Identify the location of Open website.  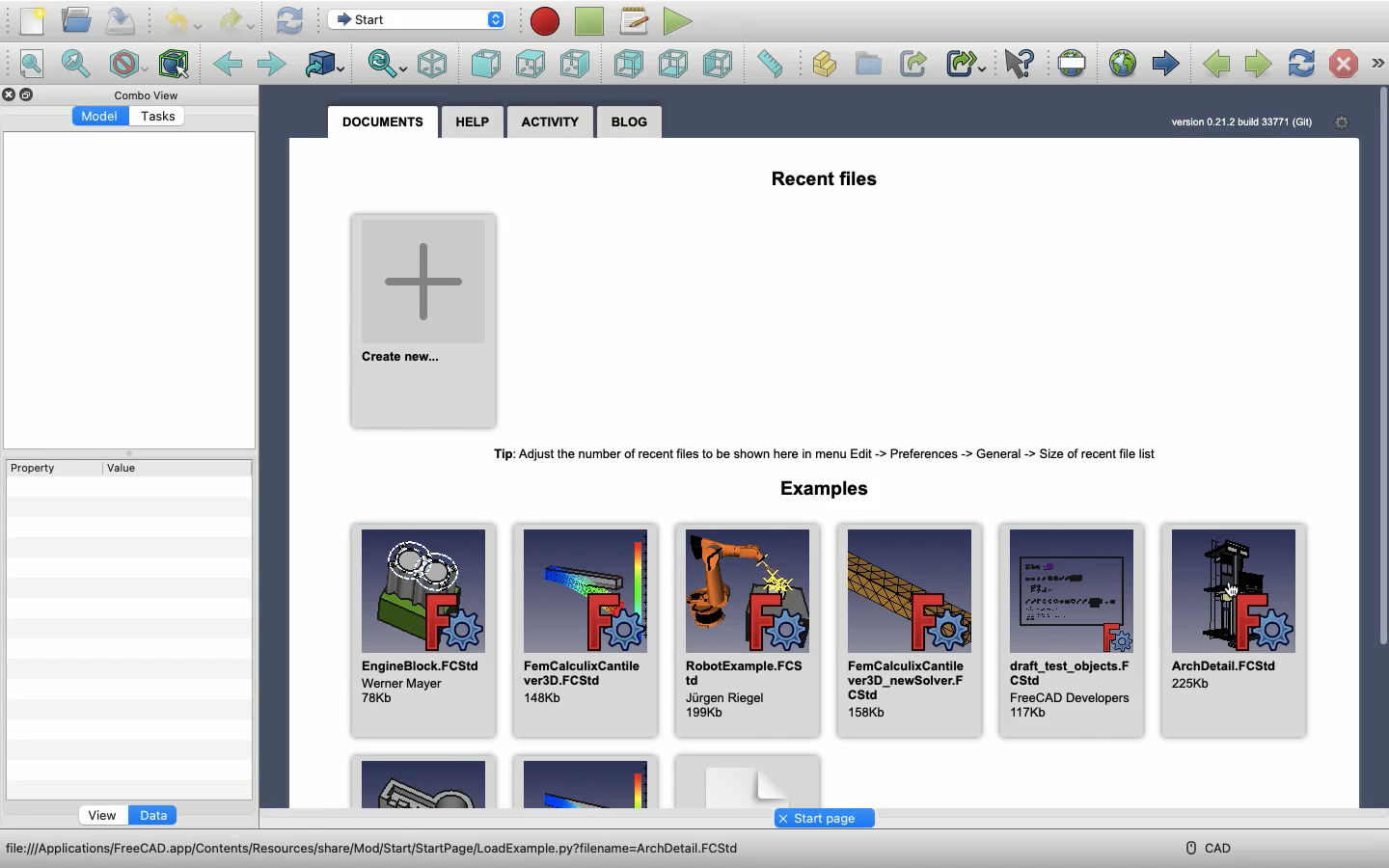
(1123, 64).